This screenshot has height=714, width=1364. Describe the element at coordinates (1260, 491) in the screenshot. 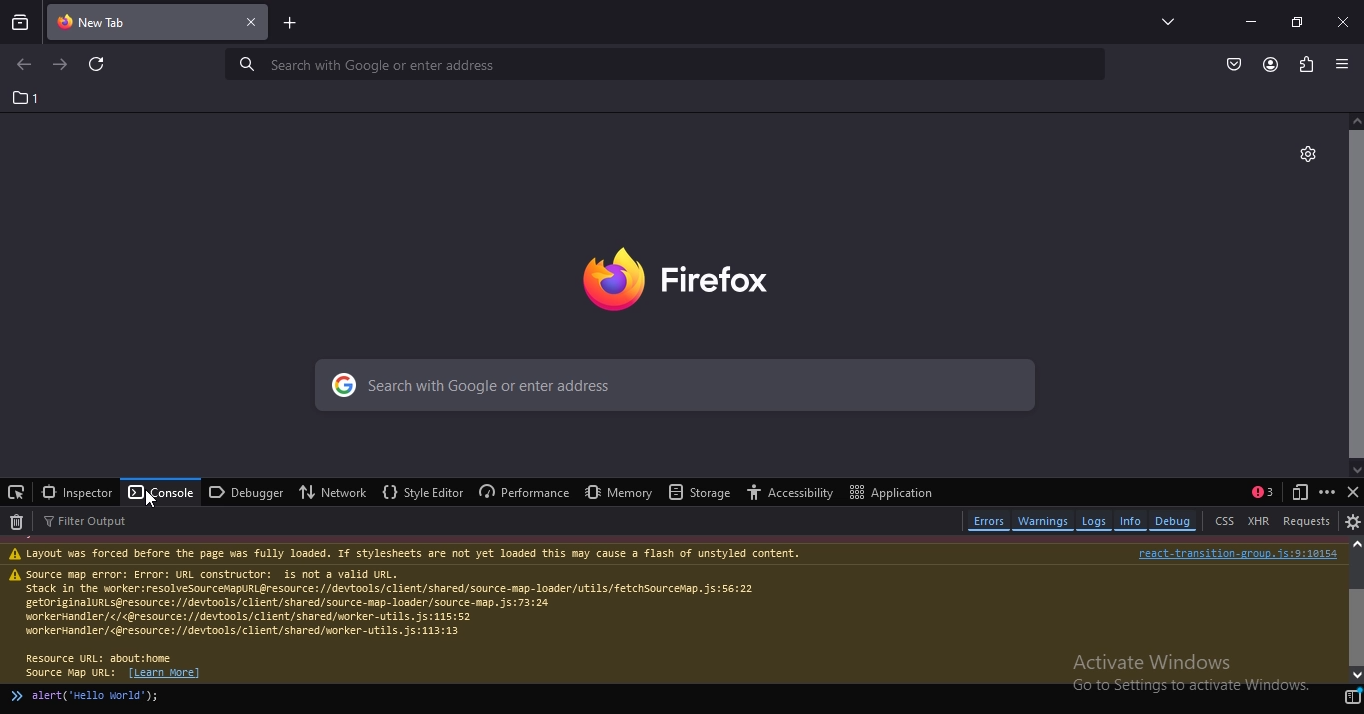

I see `show split console` at that location.